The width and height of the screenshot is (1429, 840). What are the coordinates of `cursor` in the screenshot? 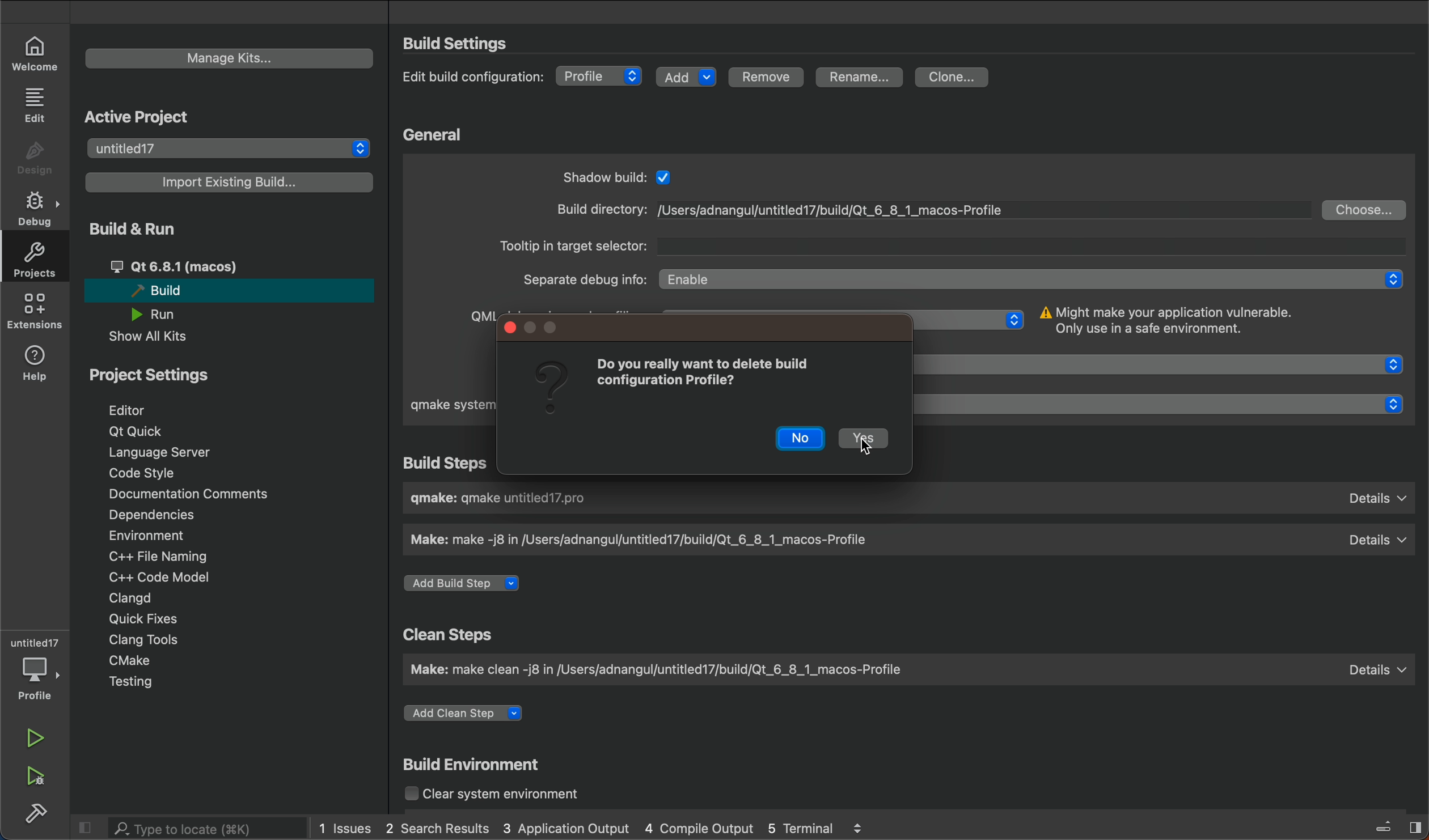 It's located at (868, 449).